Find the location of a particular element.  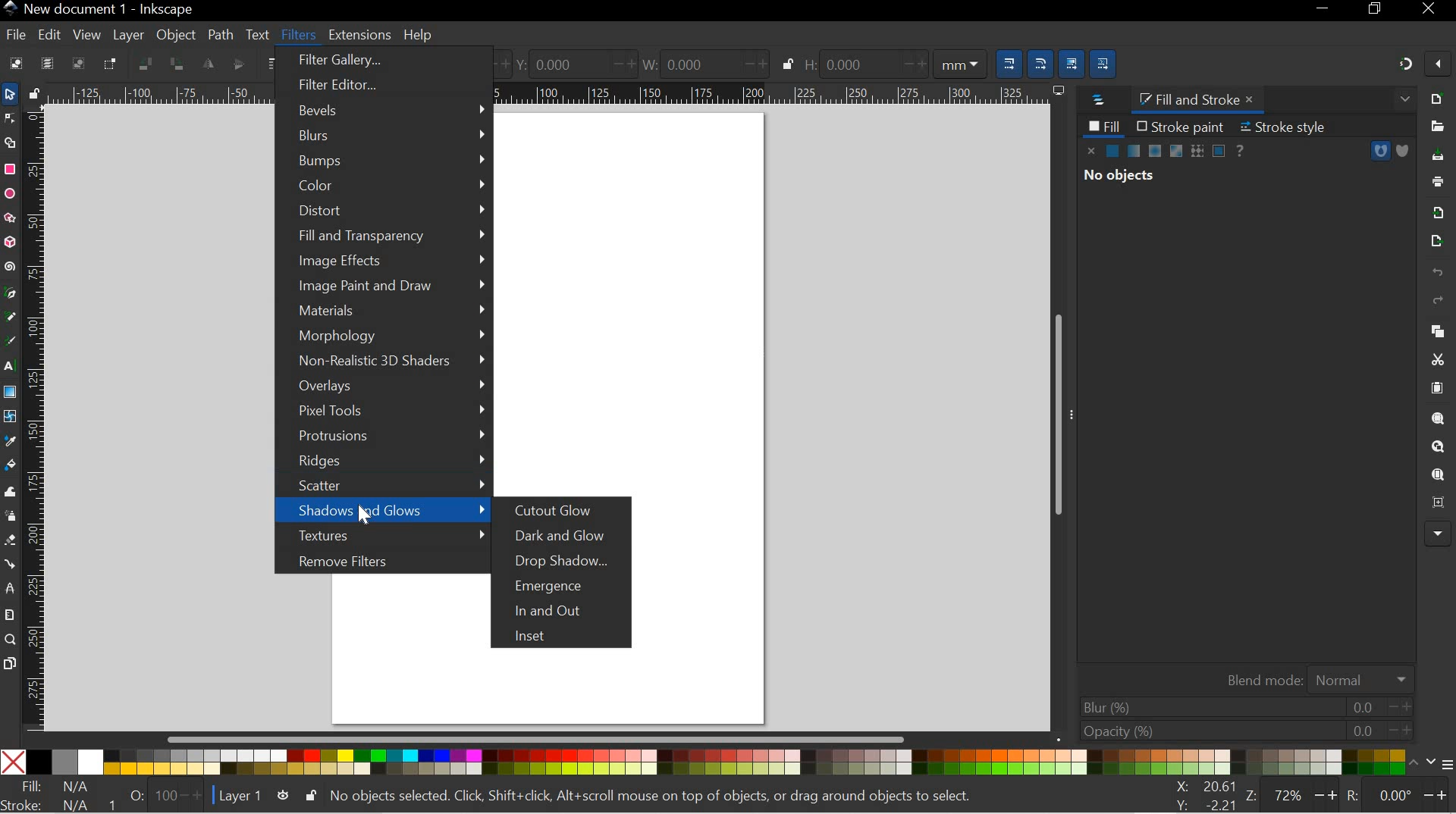

COPY is located at coordinates (1435, 329).